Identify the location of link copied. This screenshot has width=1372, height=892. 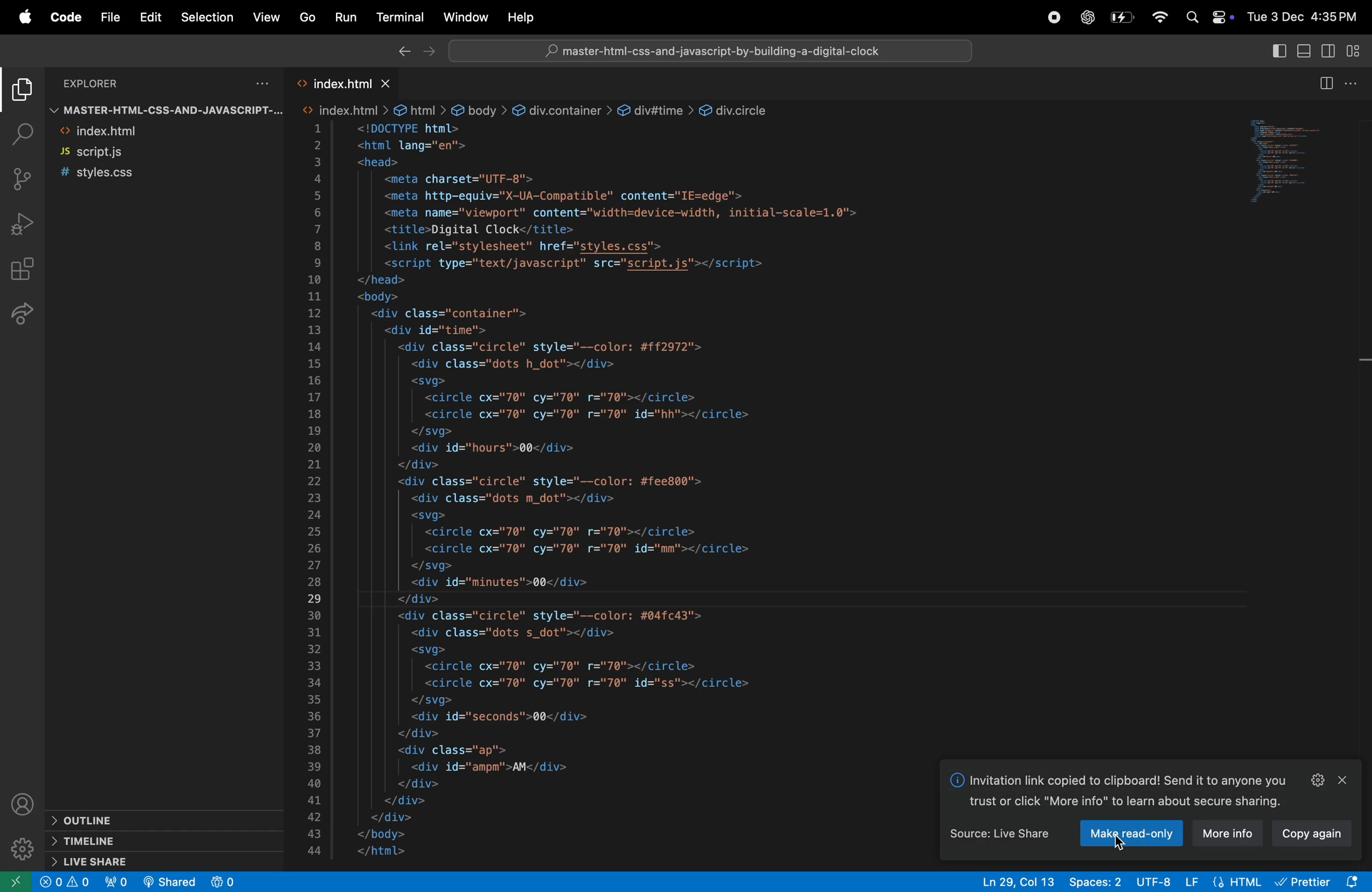
(1122, 791).